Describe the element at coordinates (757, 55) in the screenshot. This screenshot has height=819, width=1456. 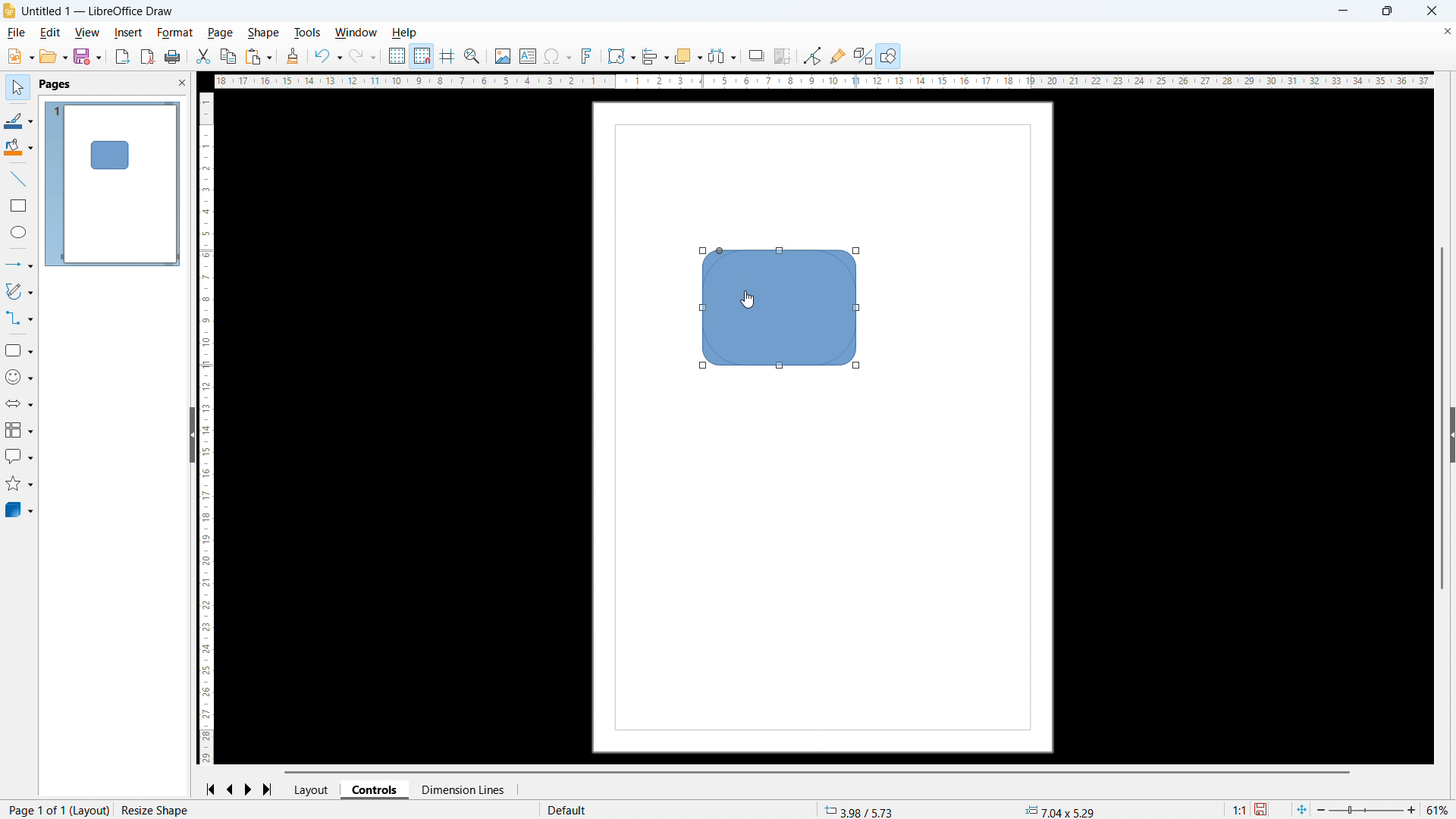
I see `` at that location.